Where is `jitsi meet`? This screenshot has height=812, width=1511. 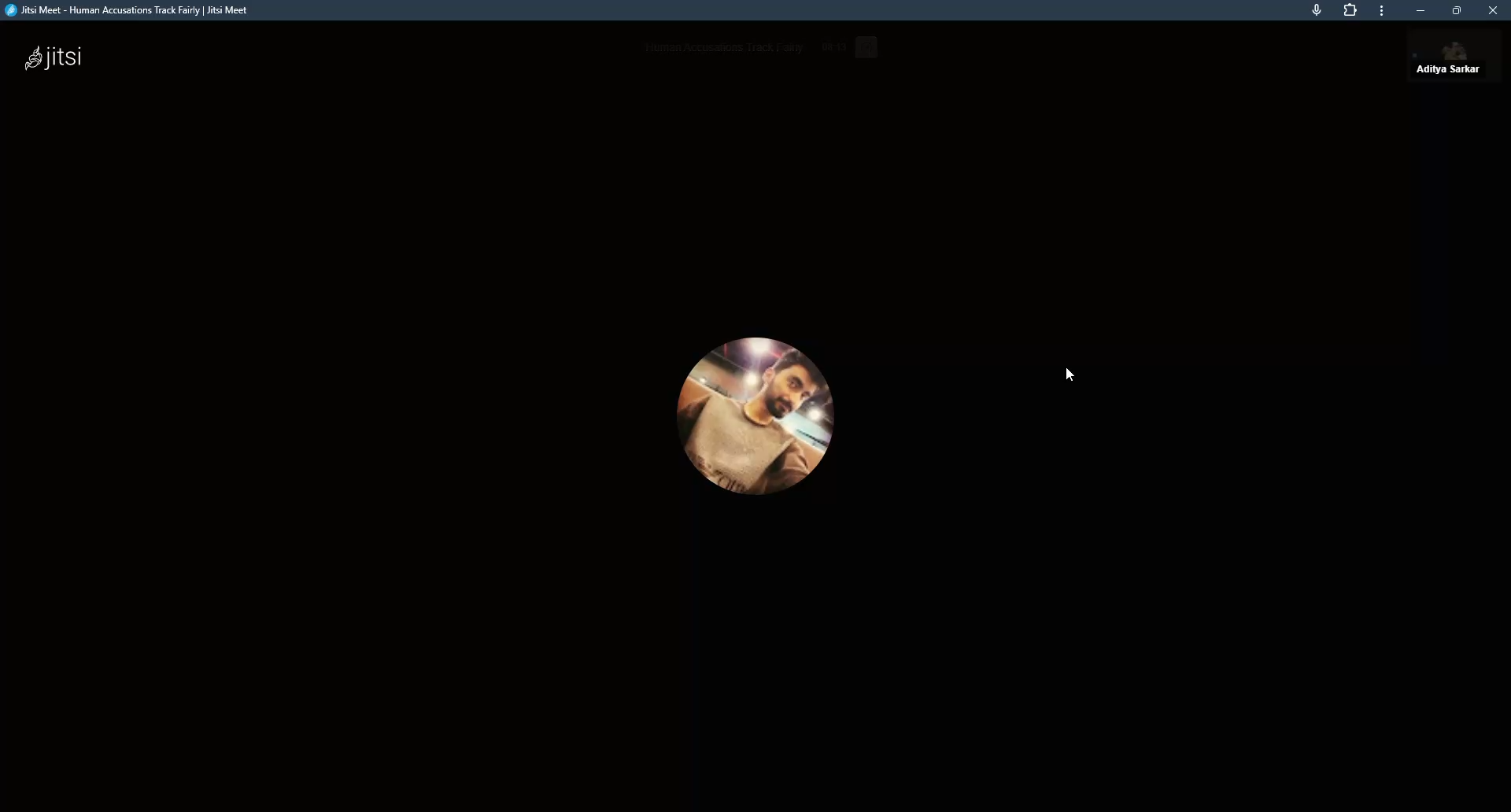 jitsi meet is located at coordinates (135, 12).